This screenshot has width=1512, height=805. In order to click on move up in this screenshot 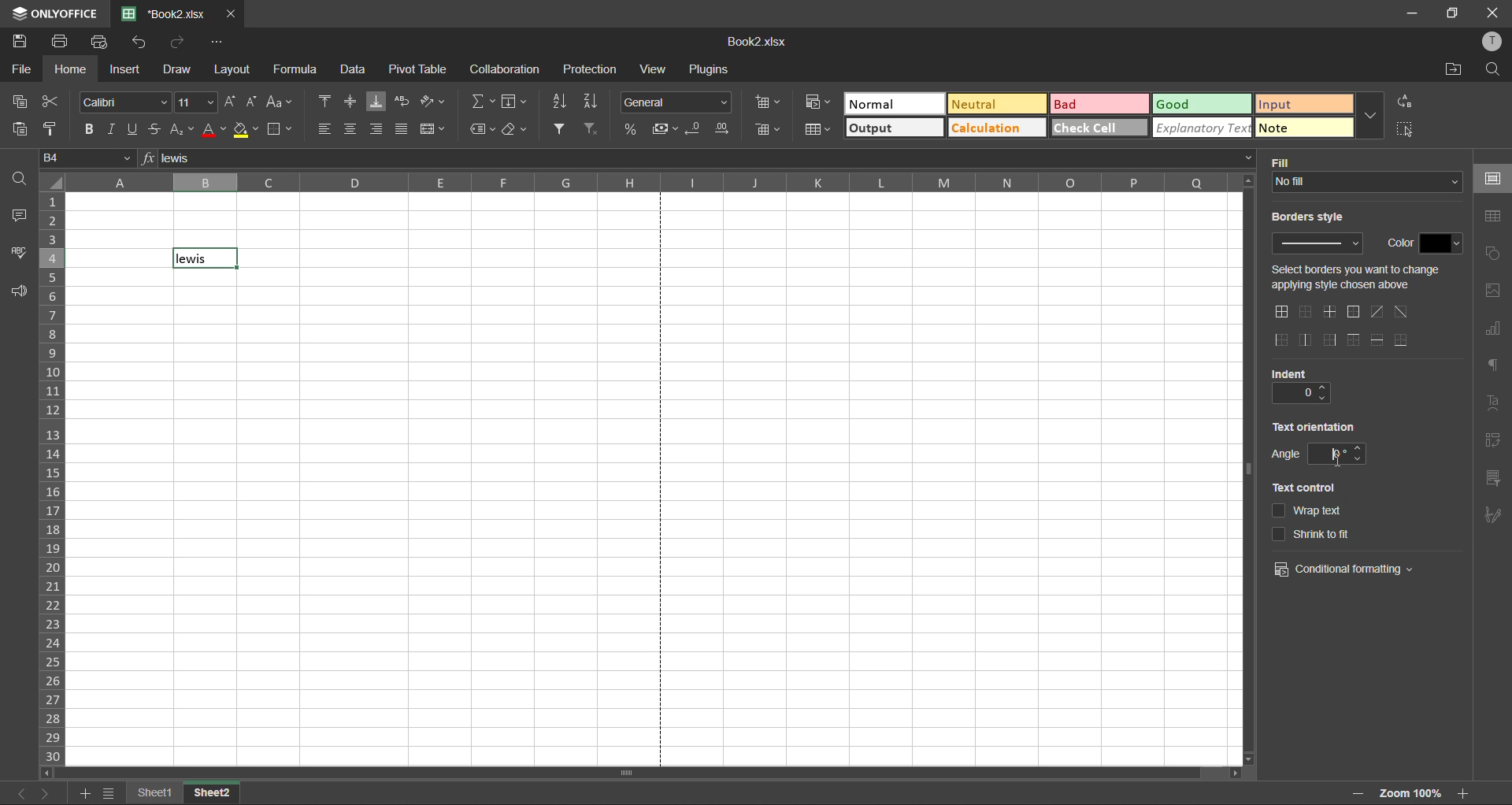, I will do `click(1249, 181)`.